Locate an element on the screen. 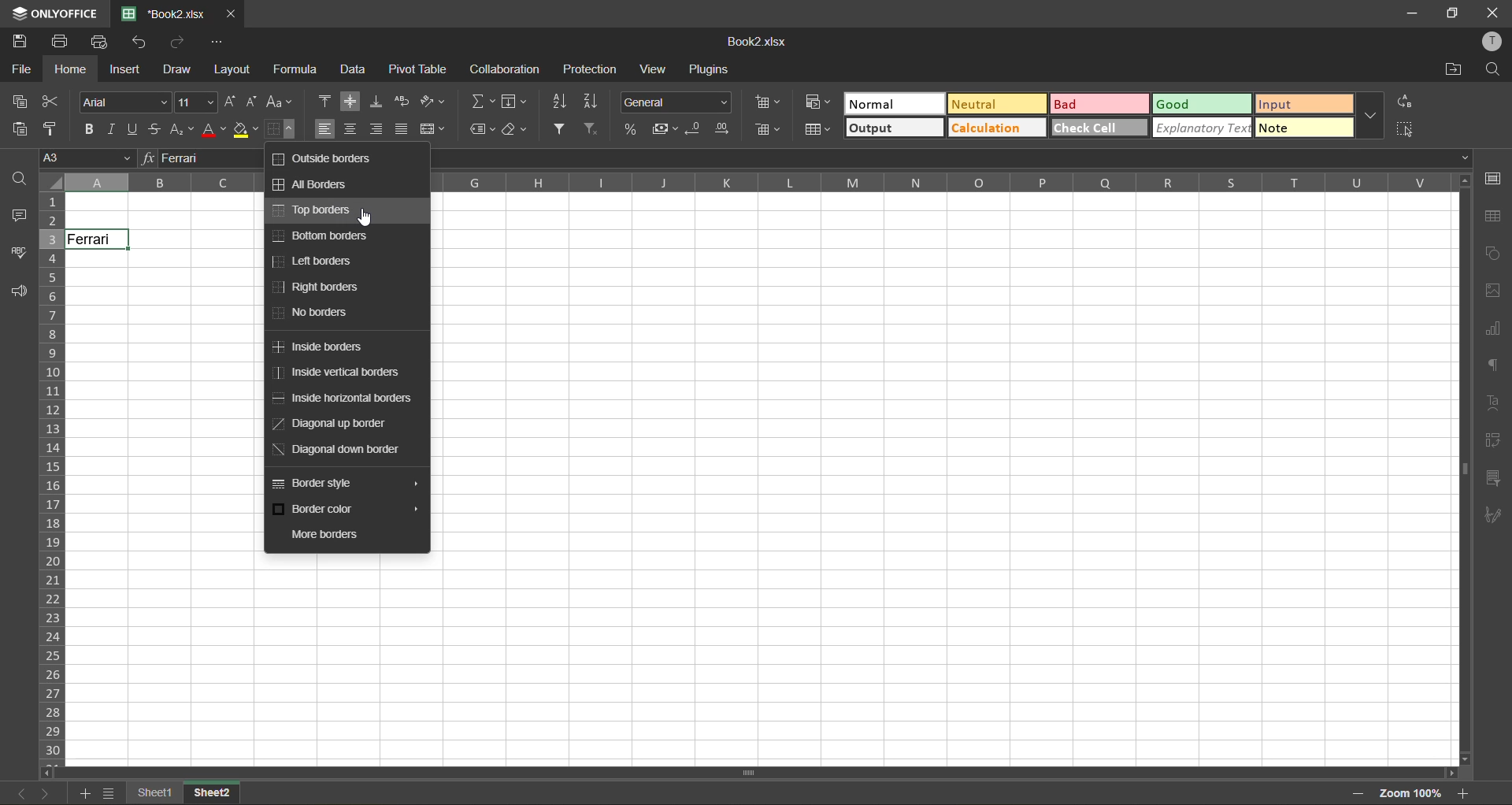  good is located at coordinates (1204, 106).